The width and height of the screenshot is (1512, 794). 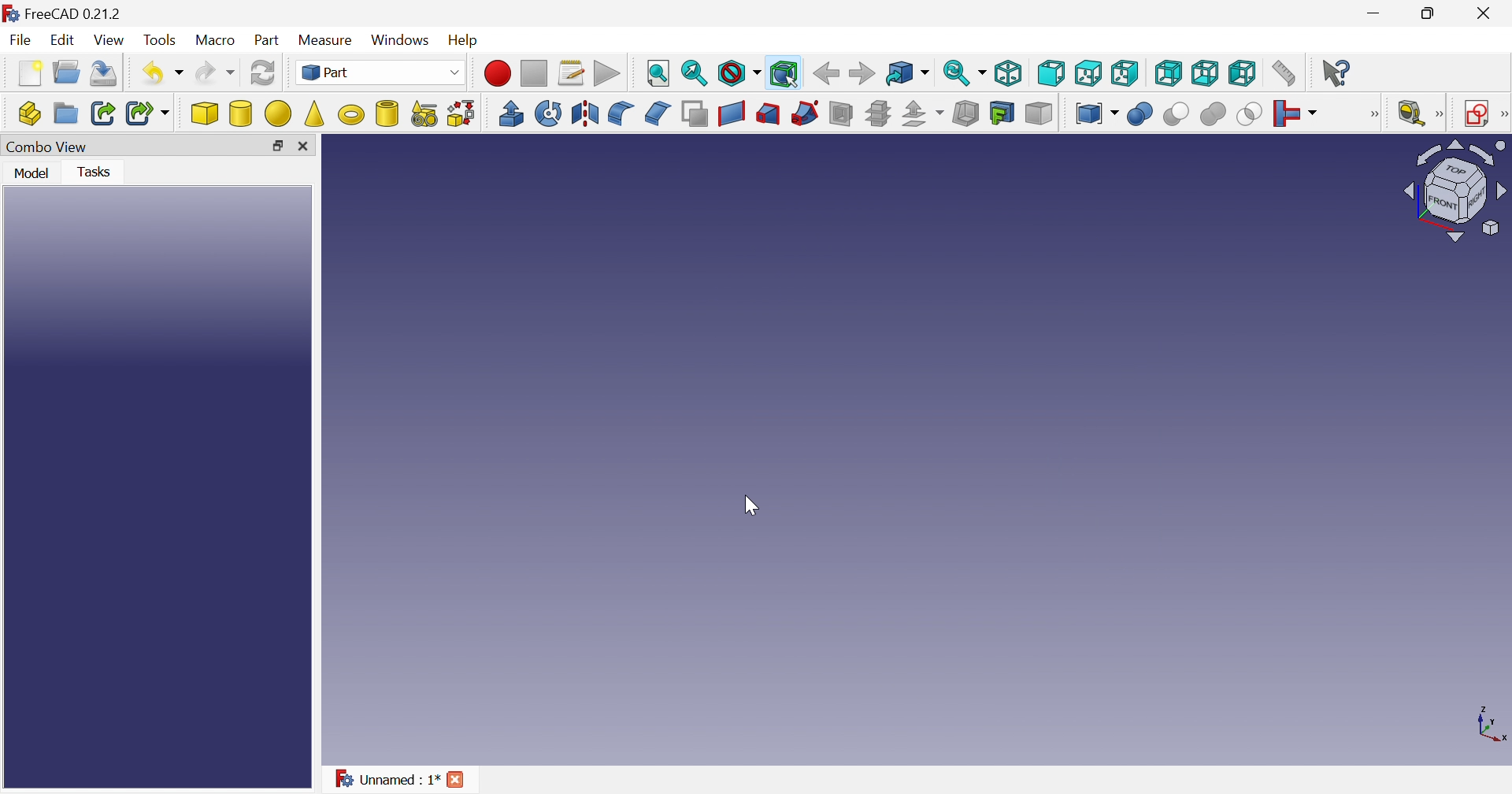 What do you see at coordinates (907, 74) in the screenshot?
I see `Go to linked object` at bounding box center [907, 74].